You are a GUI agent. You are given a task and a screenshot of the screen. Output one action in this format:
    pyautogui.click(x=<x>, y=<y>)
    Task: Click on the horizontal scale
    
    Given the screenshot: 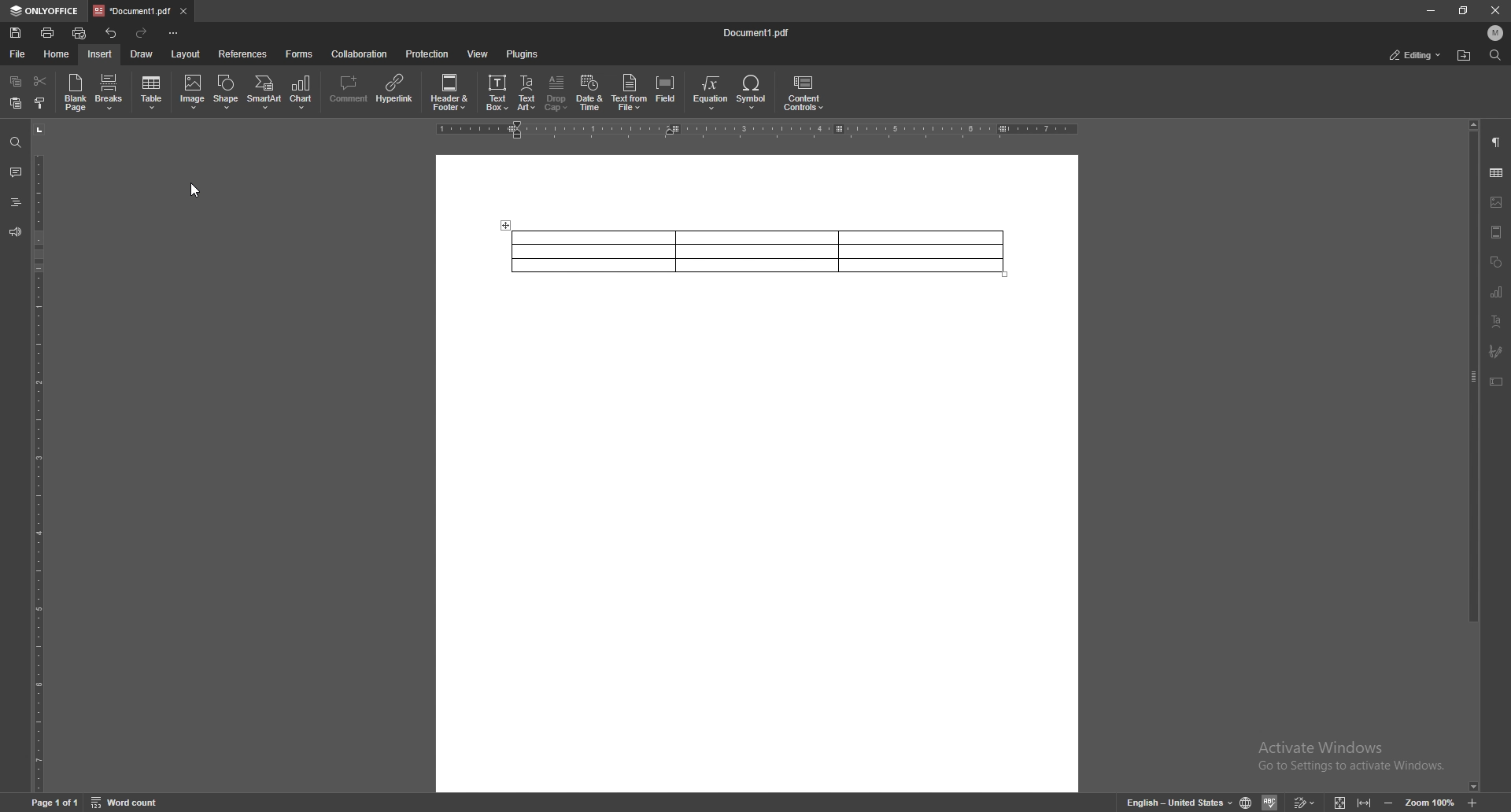 What is the action you would take?
    pyautogui.click(x=754, y=131)
    